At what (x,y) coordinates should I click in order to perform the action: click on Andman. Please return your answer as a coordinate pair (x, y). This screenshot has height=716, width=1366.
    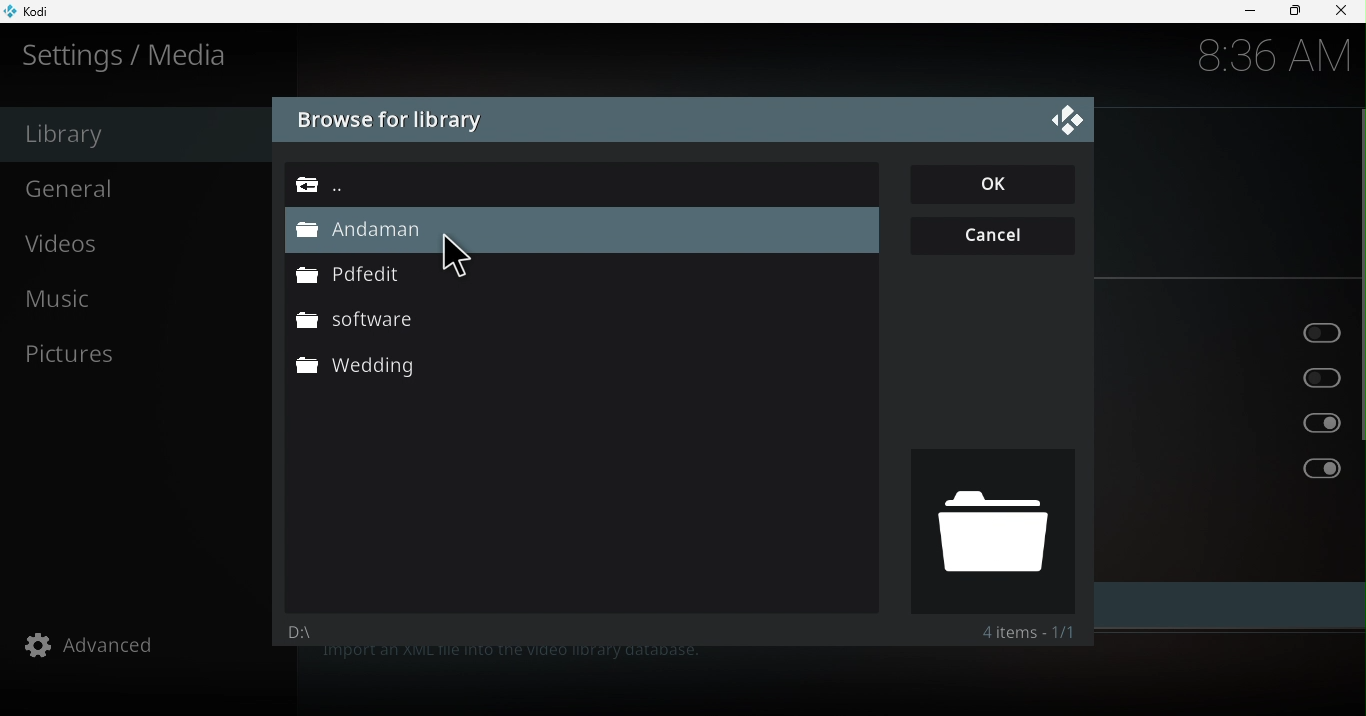
    Looking at the image, I should click on (370, 233).